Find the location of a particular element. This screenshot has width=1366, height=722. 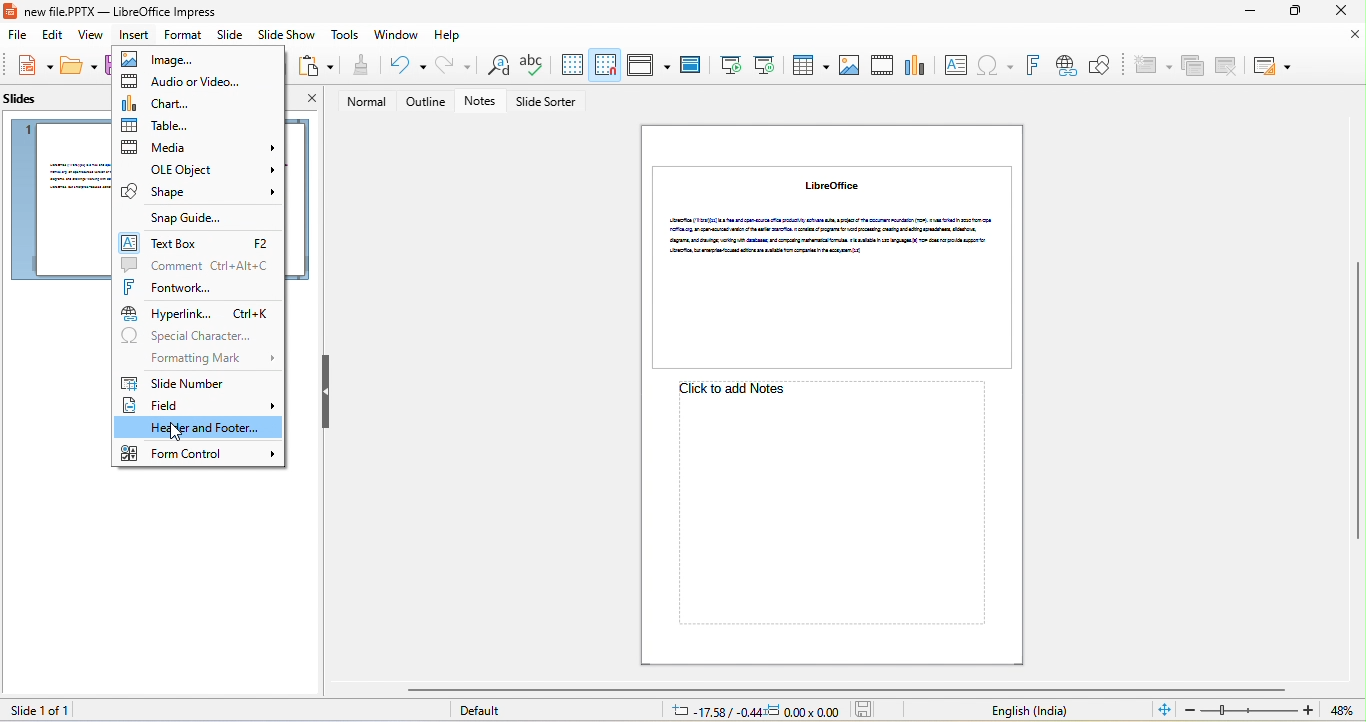

horizontal scrollbar is located at coordinates (845, 689).